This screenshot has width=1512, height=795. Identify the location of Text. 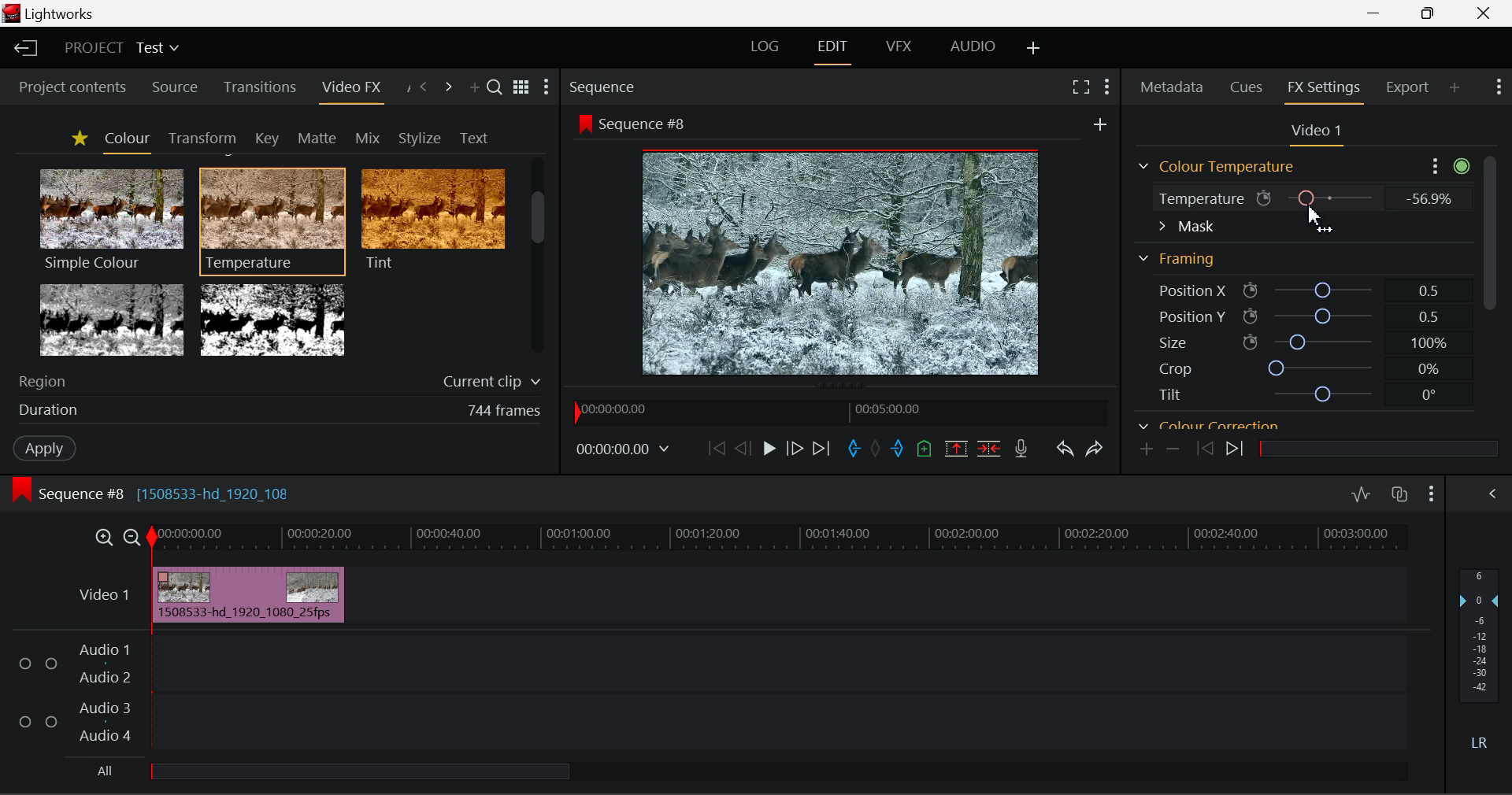
(471, 137).